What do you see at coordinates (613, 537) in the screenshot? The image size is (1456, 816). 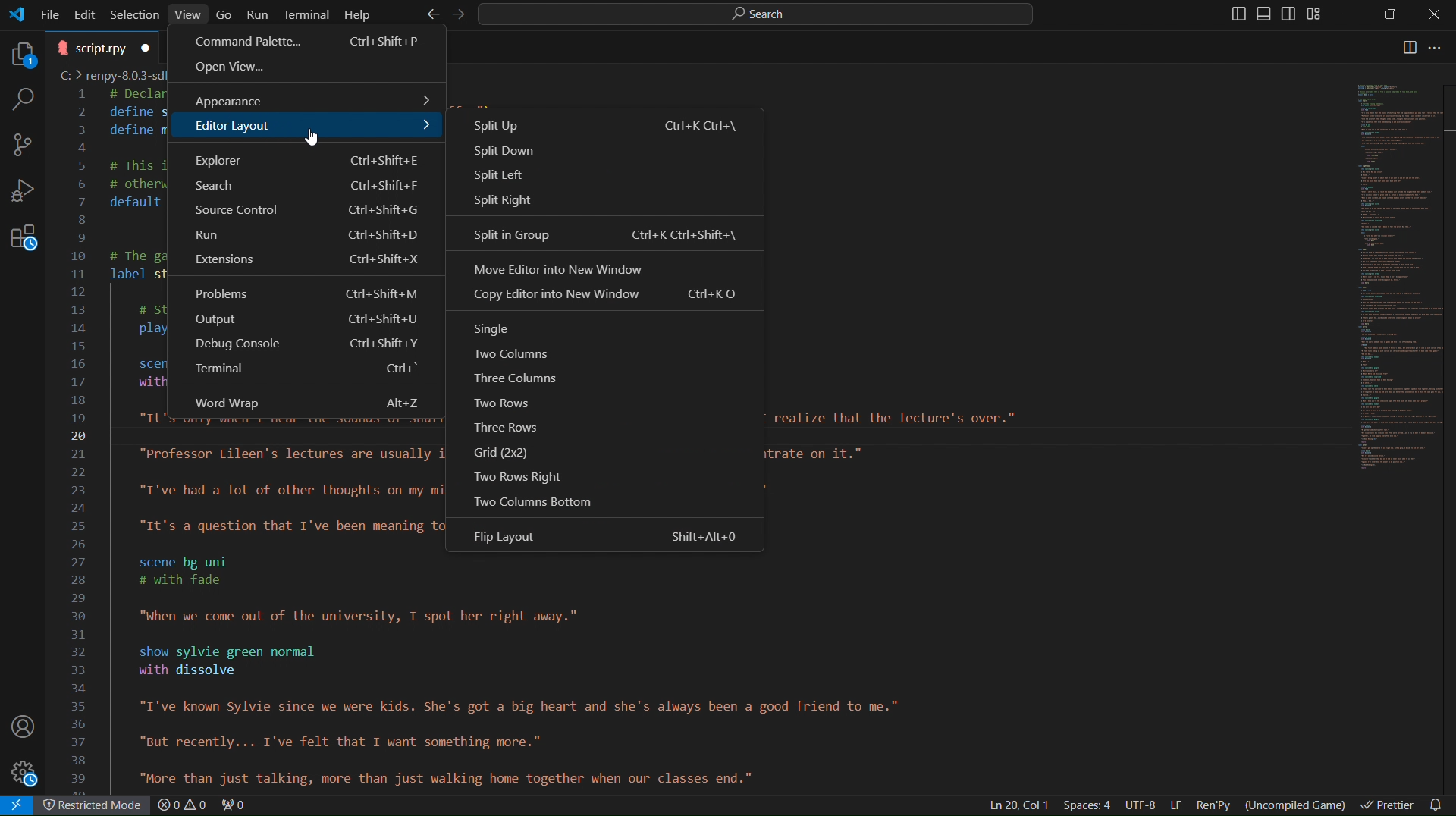 I see `Flip Layout   shift+alt+0` at bounding box center [613, 537].